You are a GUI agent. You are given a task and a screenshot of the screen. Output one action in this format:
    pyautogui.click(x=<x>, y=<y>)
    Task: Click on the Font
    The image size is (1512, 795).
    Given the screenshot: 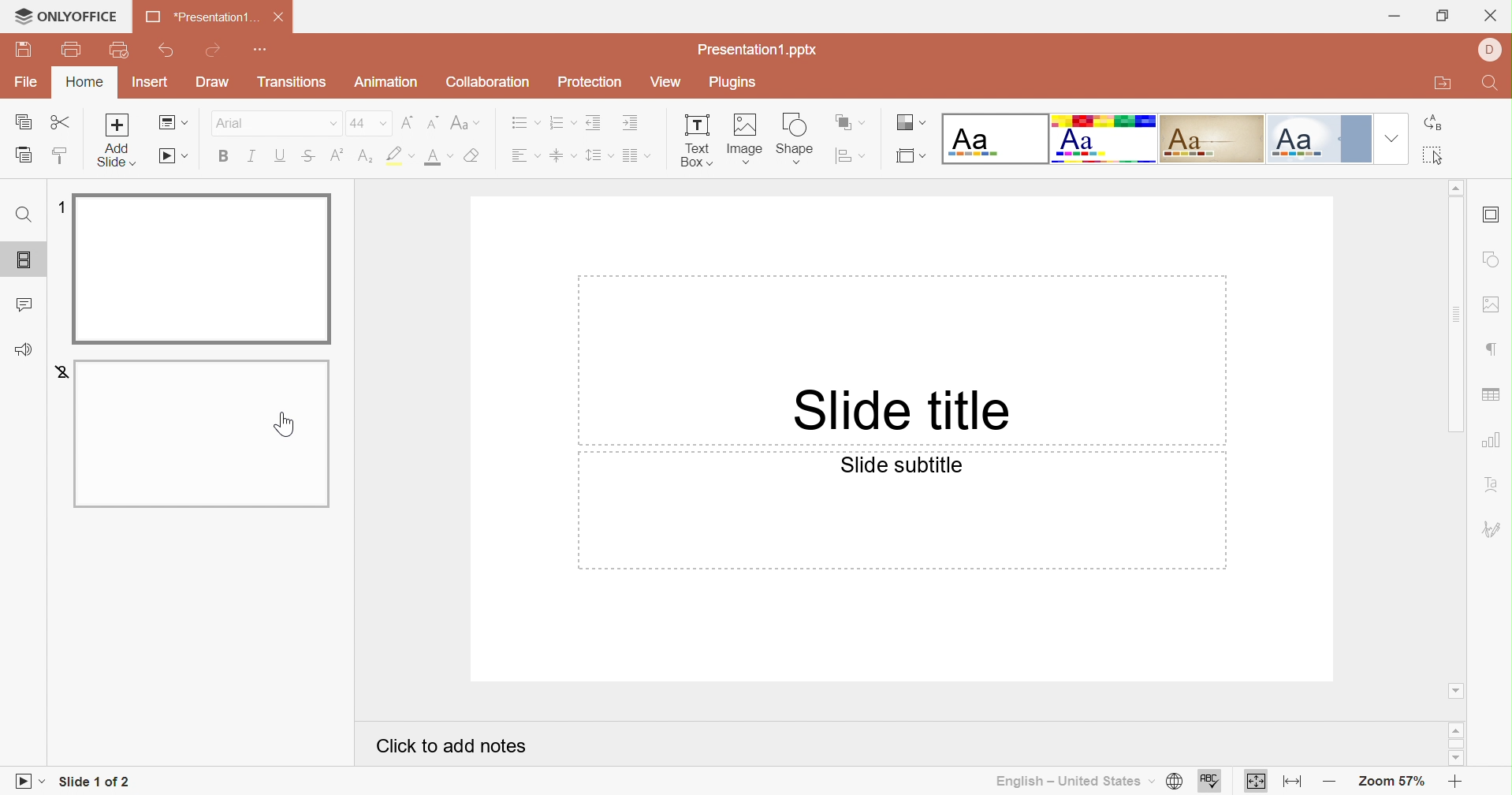 What is the action you would take?
    pyautogui.click(x=274, y=122)
    